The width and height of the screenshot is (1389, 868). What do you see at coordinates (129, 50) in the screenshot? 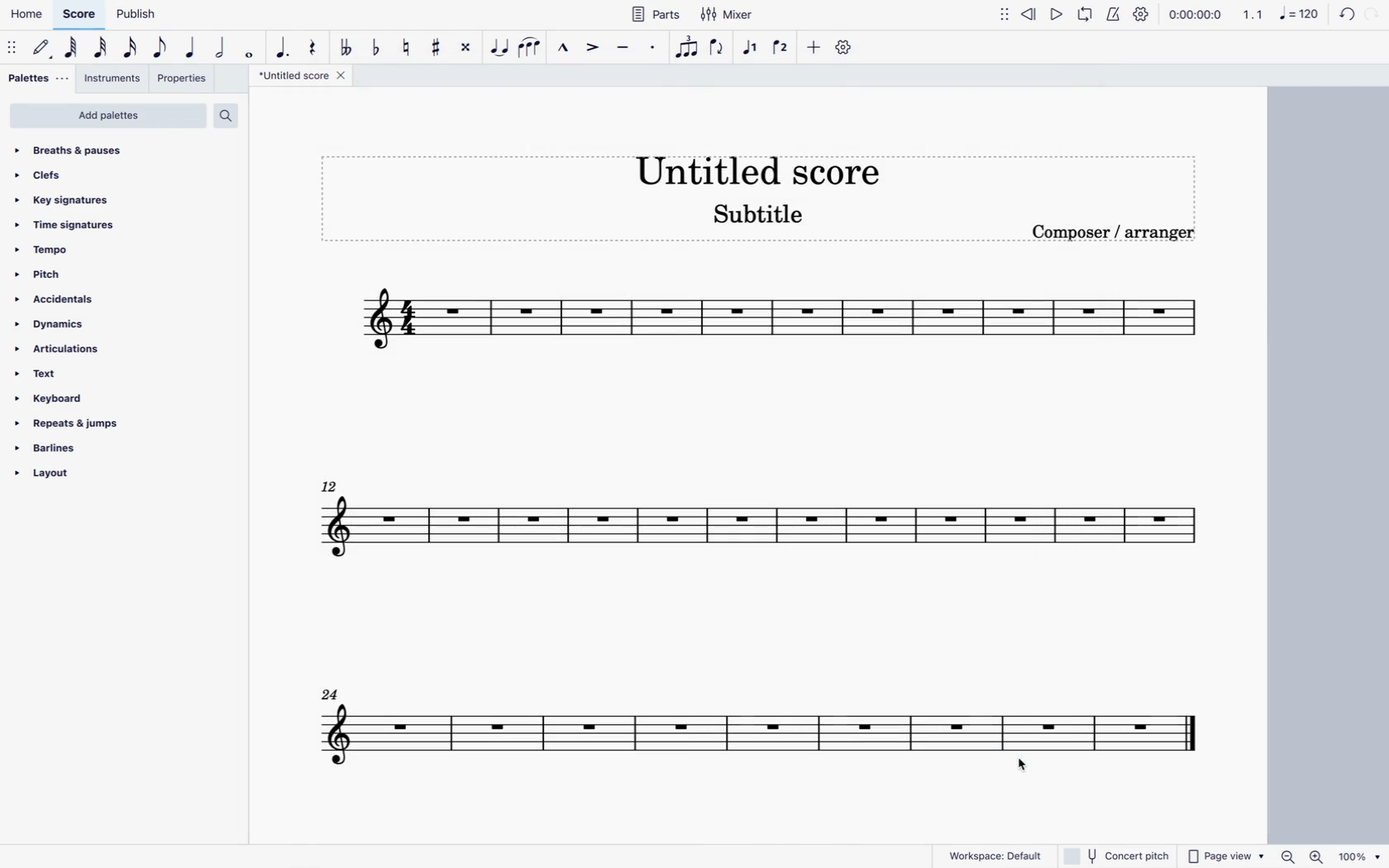
I see `16th note` at bounding box center [129, 50].